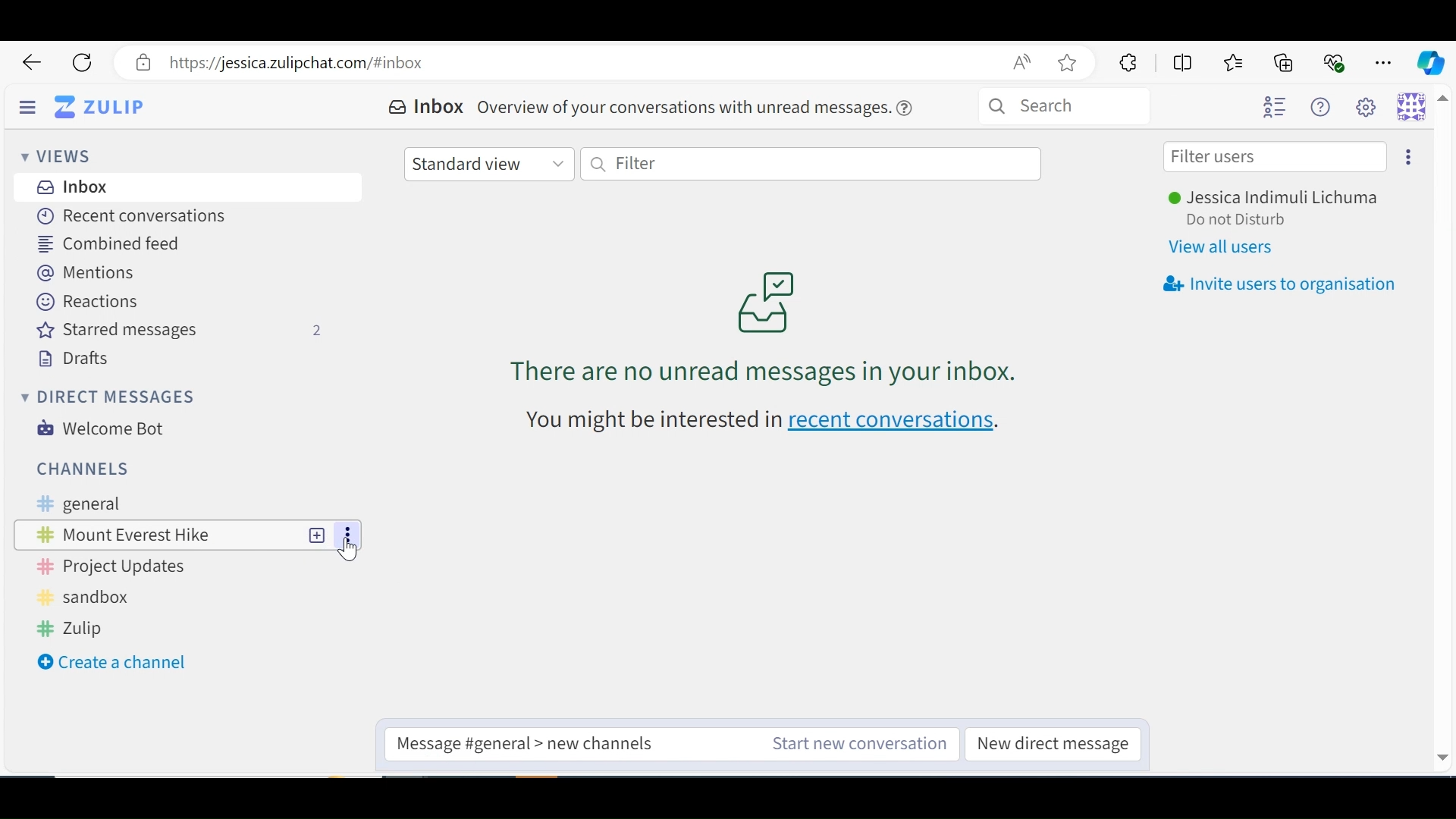 The height and width of the screenshot is (819, 1456). I want to click on Up, so click(1444, 104).